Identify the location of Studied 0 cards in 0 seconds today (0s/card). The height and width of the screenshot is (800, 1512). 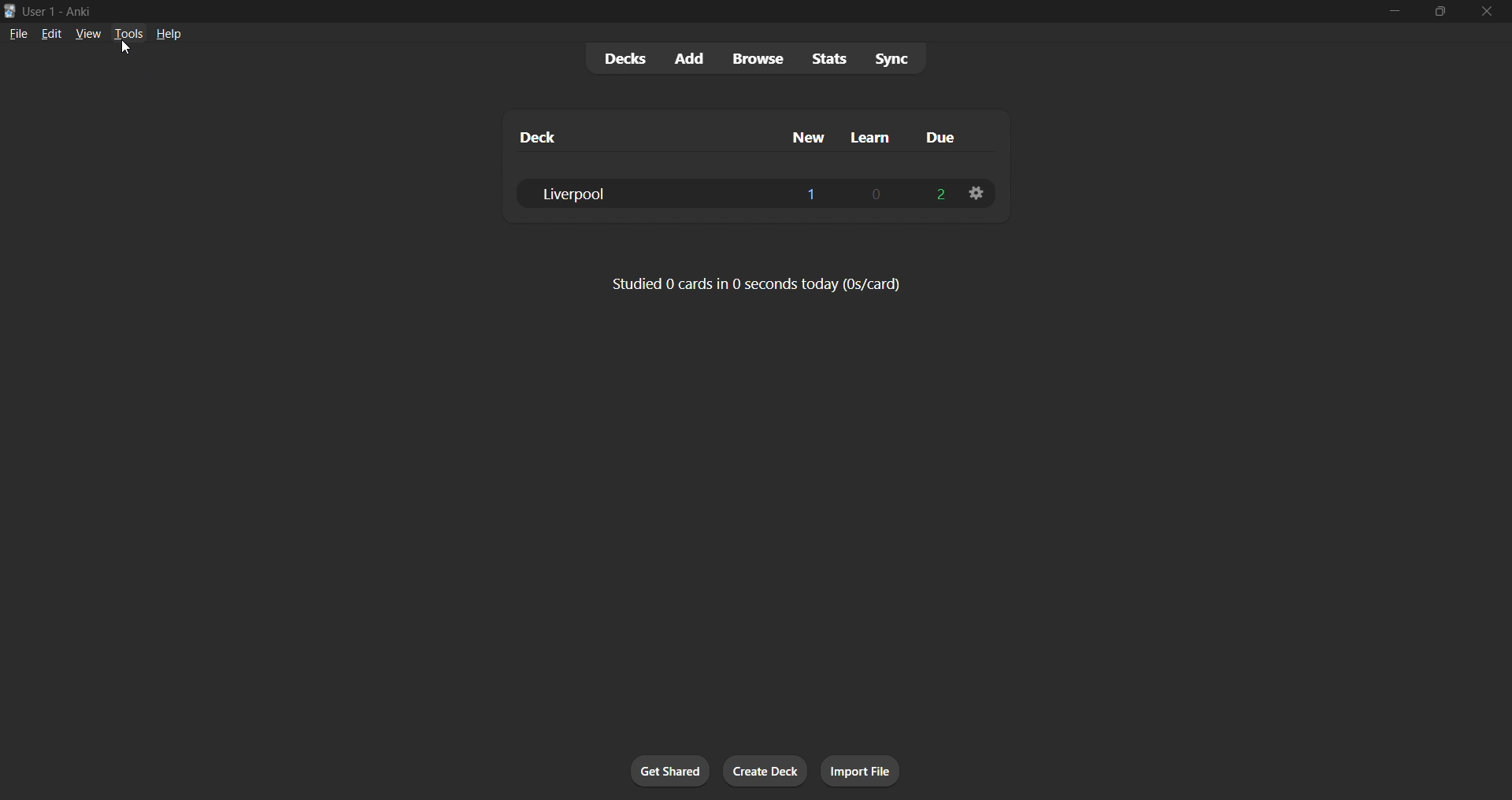
(760, 286).